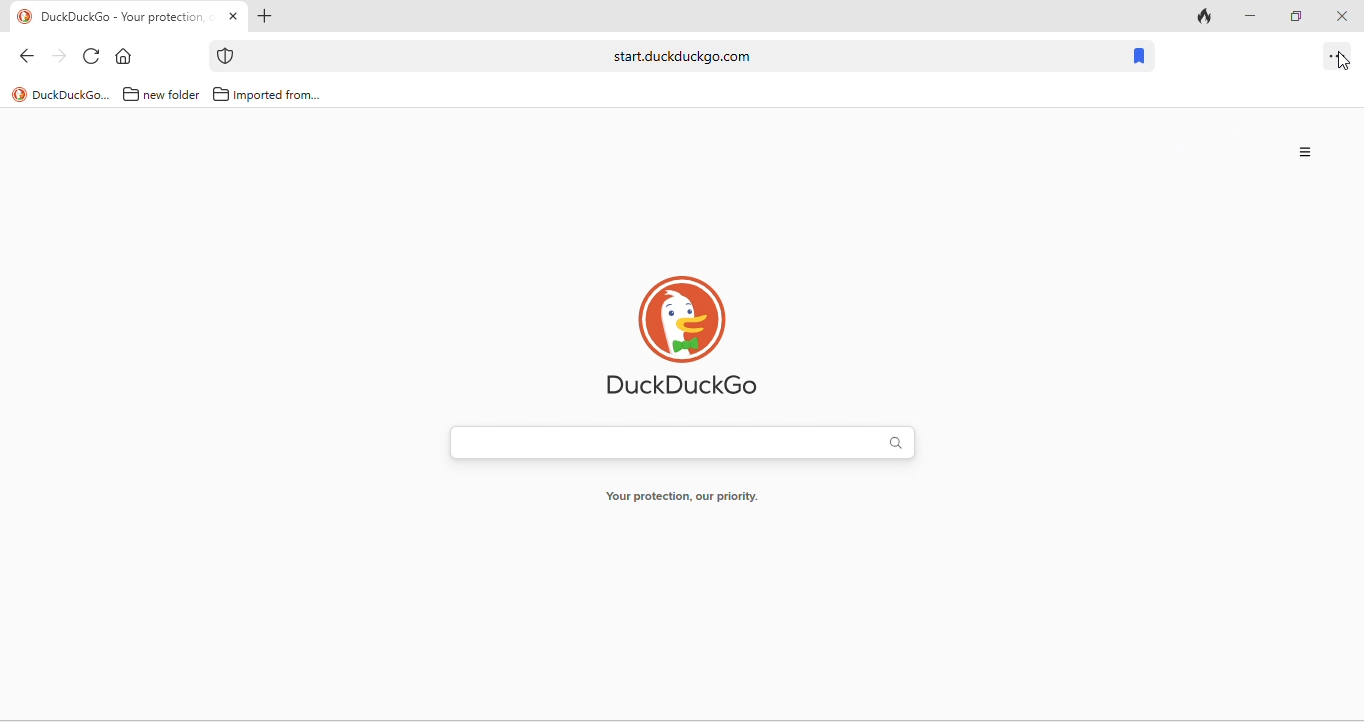  What do you see at coordinates (1141, 58) in the screenshot?
I see `bookmarks` at bounding box center [1141, 58].